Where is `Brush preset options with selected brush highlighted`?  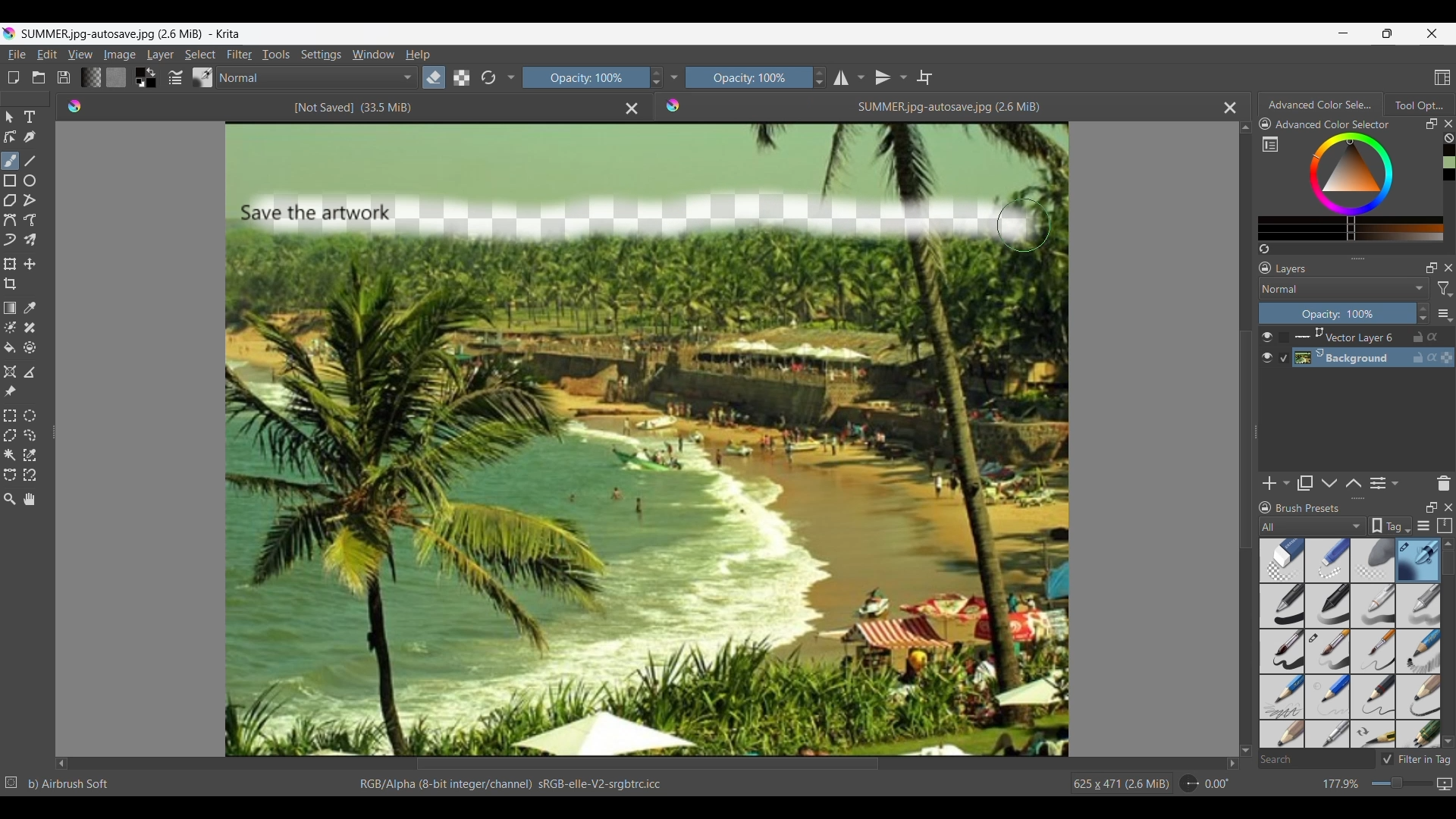 Brush preset options with selected brush highlighted is located at coordinates (1351, 644).